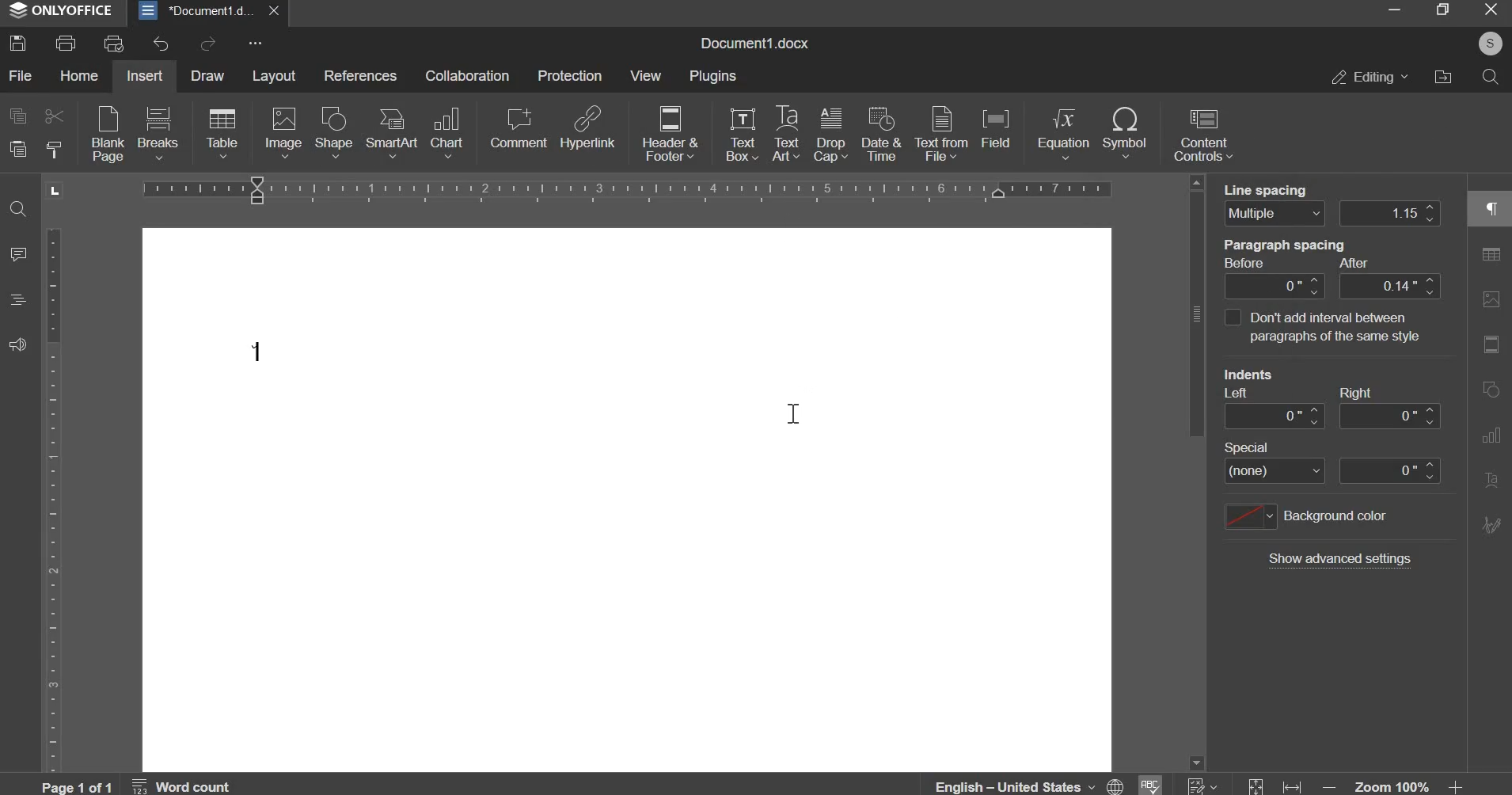  What do you see at coordinates (786, 133) in the screenshot?
I see `text art` at bounding box center [786, 133].